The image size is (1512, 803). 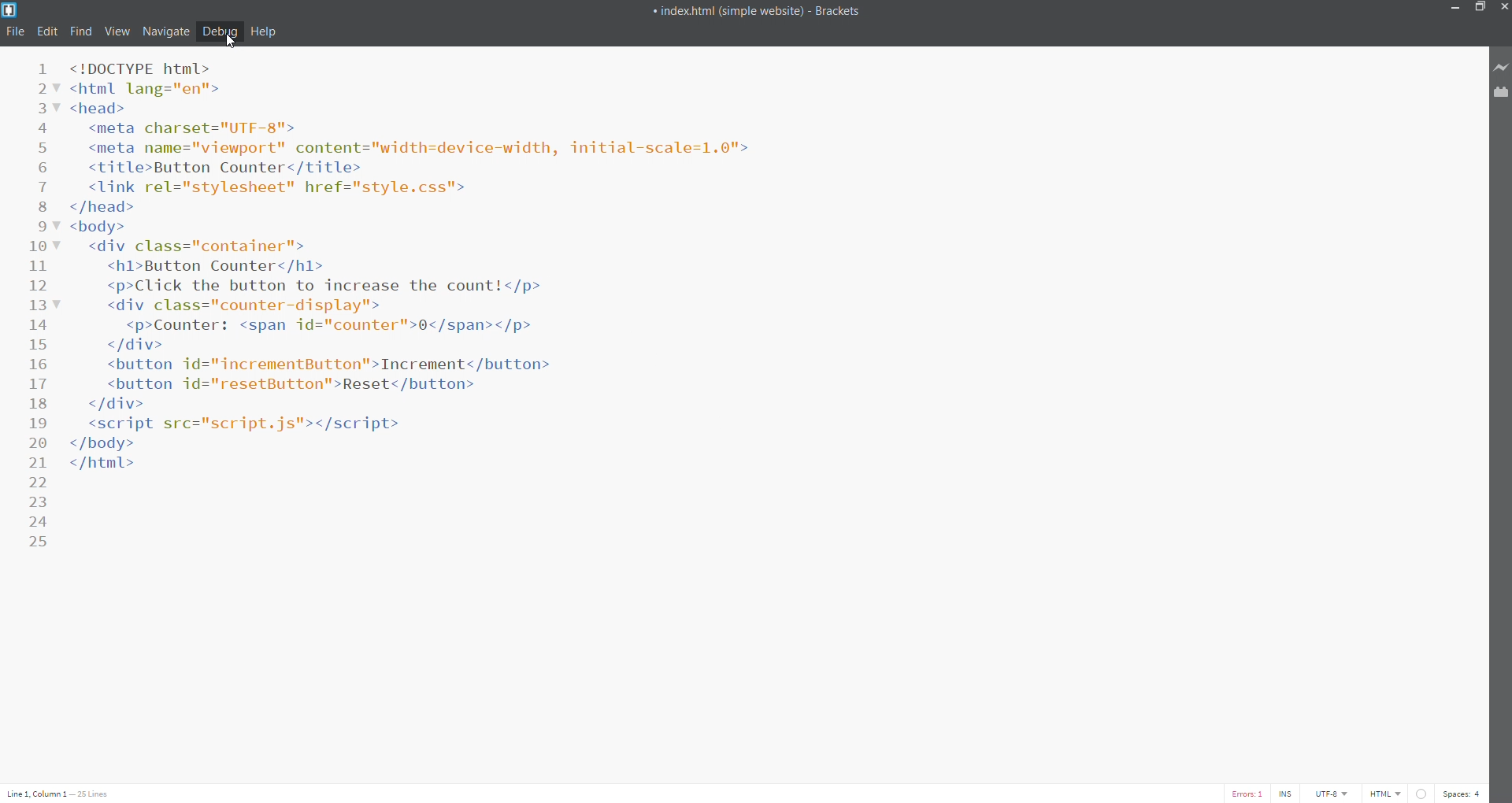 What do you see at coordinates (65, 794) in the screenshot?
I see `text cursor position` at bounding box center [65, 794].